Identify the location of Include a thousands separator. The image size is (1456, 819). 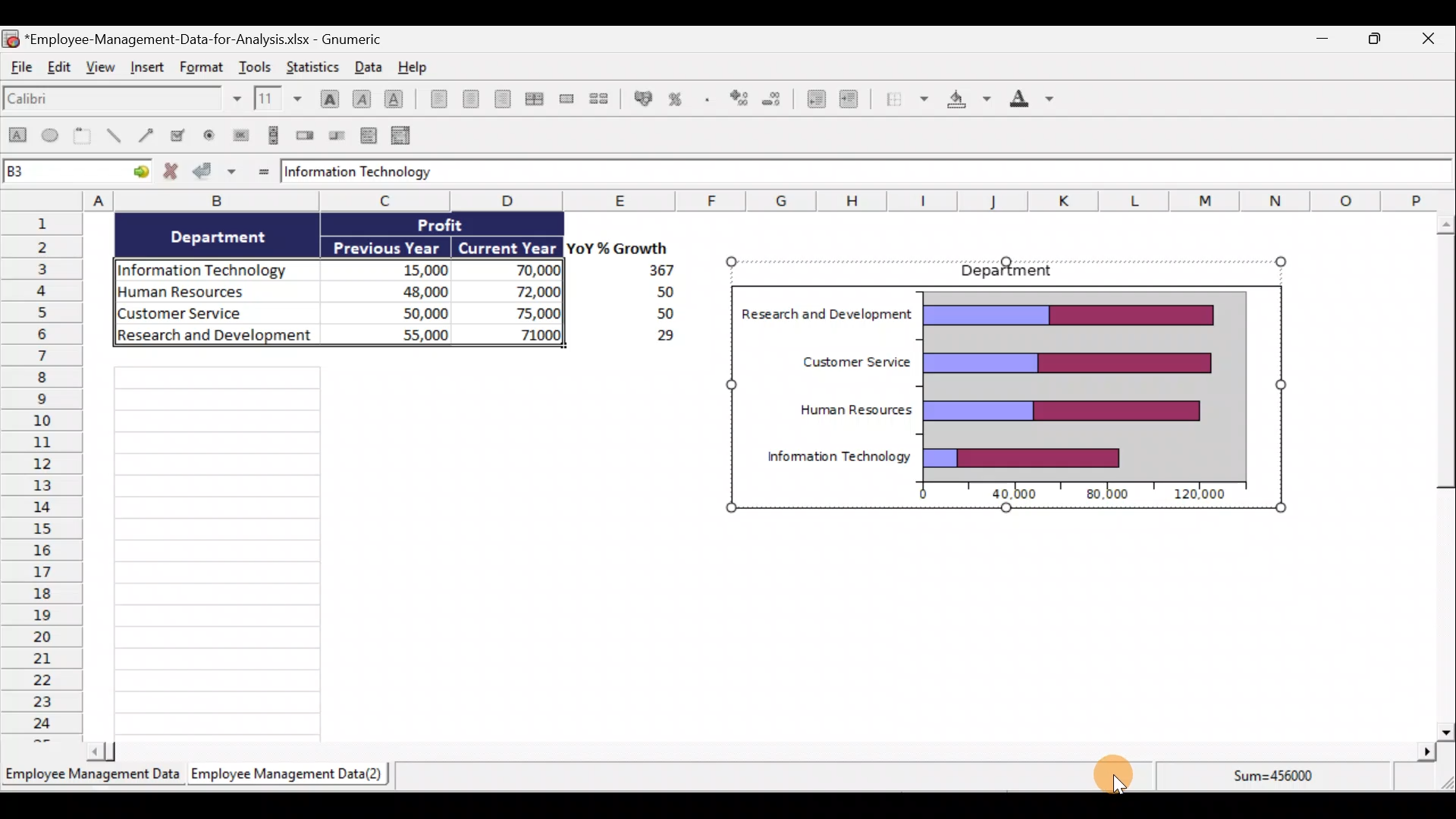
(708, 101).